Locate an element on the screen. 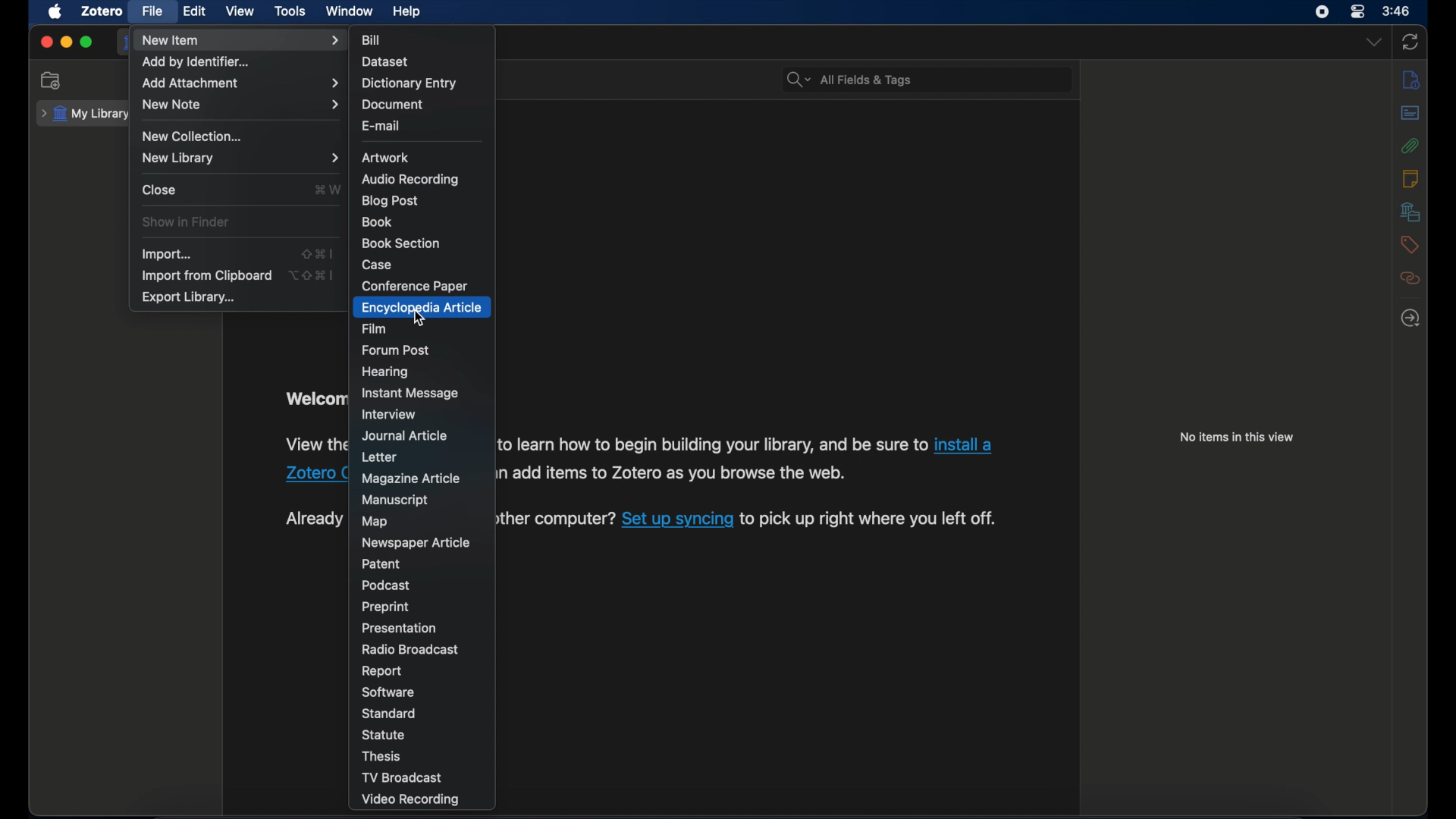 The image size is (1456, 819). preprint is located at coordinates (384, 607).